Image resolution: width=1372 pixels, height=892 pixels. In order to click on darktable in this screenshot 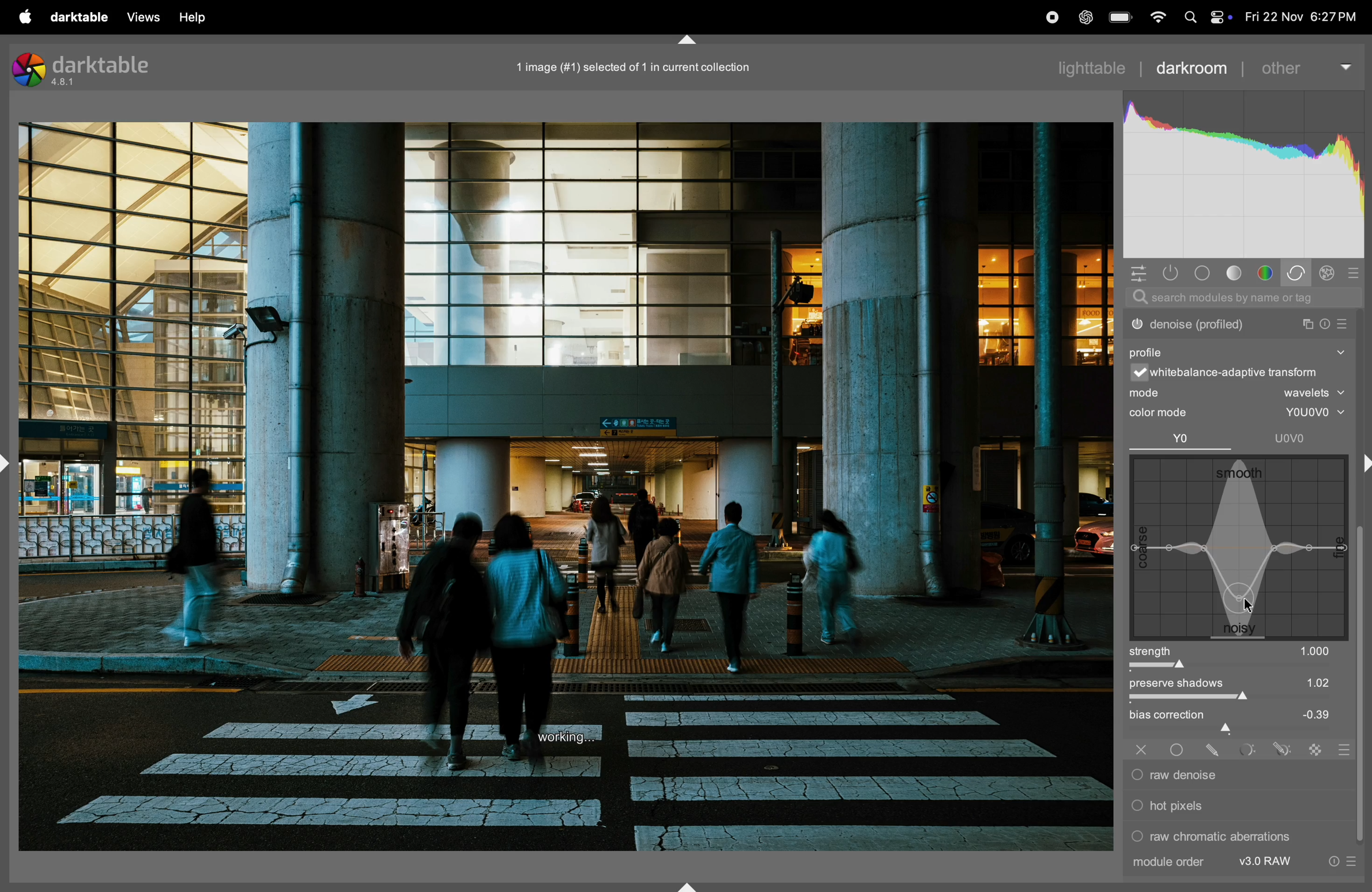, I will do `click(82, 18)`.